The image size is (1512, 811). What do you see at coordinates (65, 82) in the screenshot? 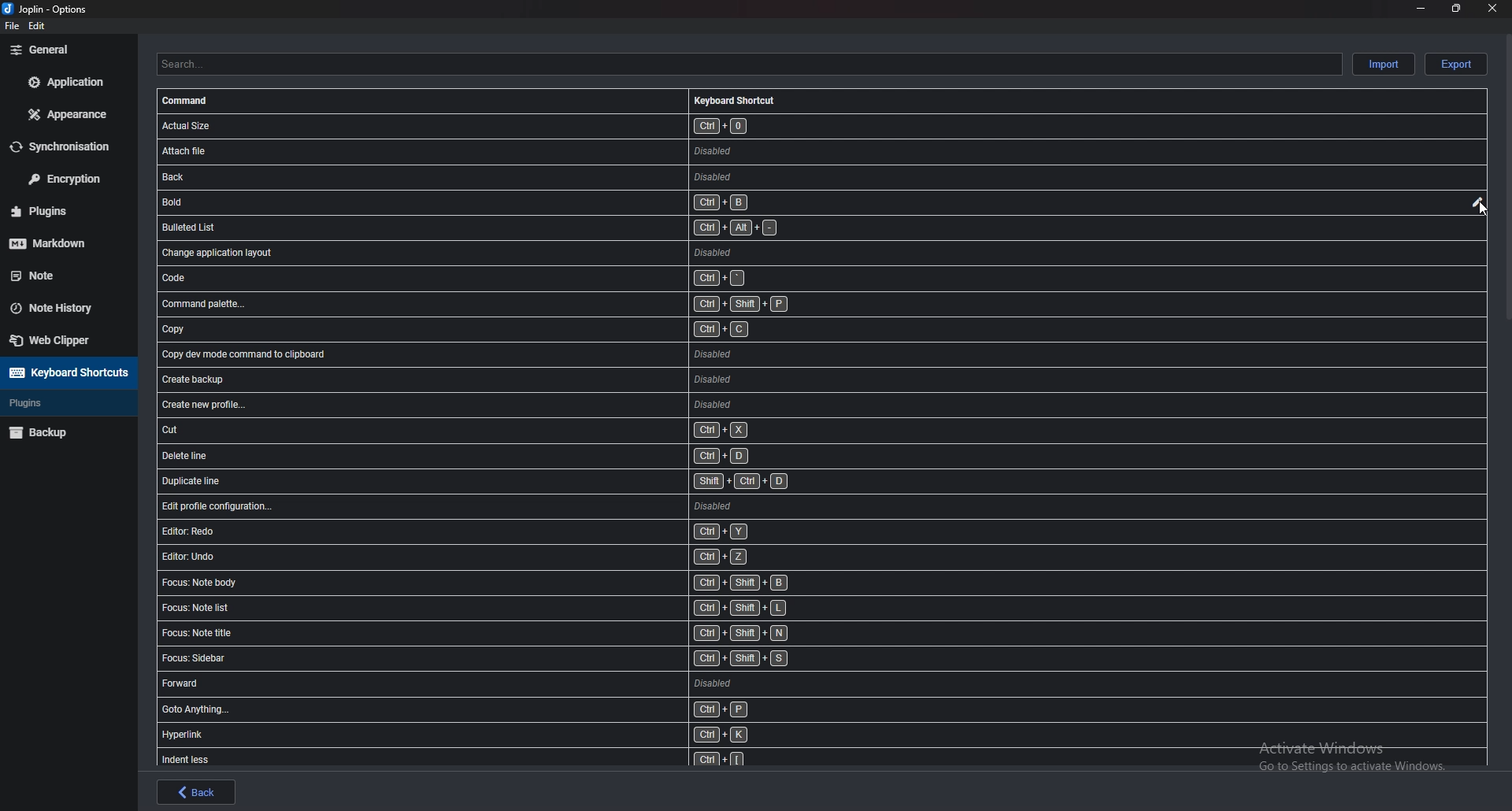
I see `Application` at bounding box center [65, 82].